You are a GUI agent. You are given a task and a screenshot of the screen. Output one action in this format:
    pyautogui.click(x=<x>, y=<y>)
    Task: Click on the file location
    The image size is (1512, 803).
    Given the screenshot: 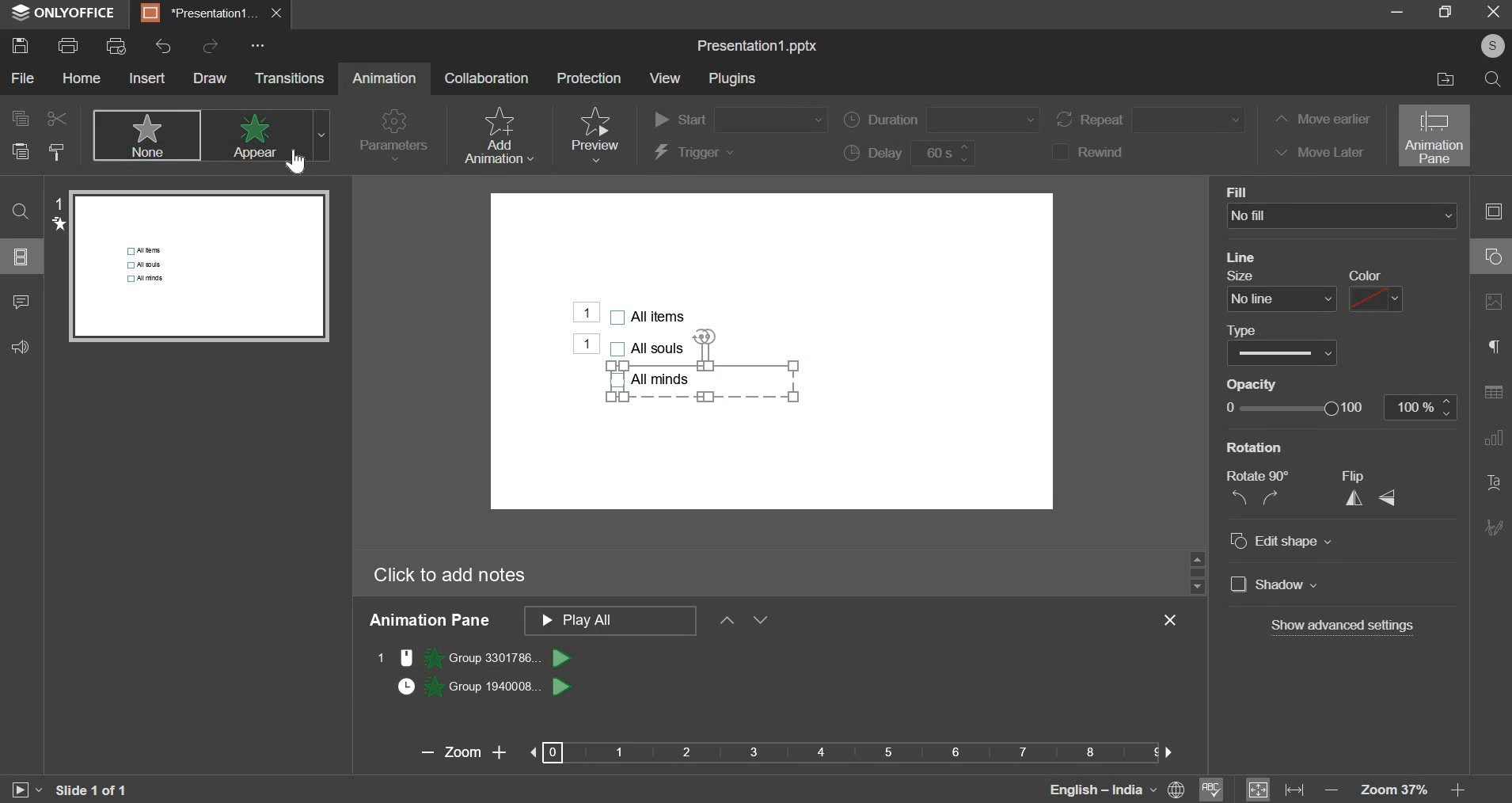 What is the action you would take?
    pyautogui.click(x=1439, y=79)
    